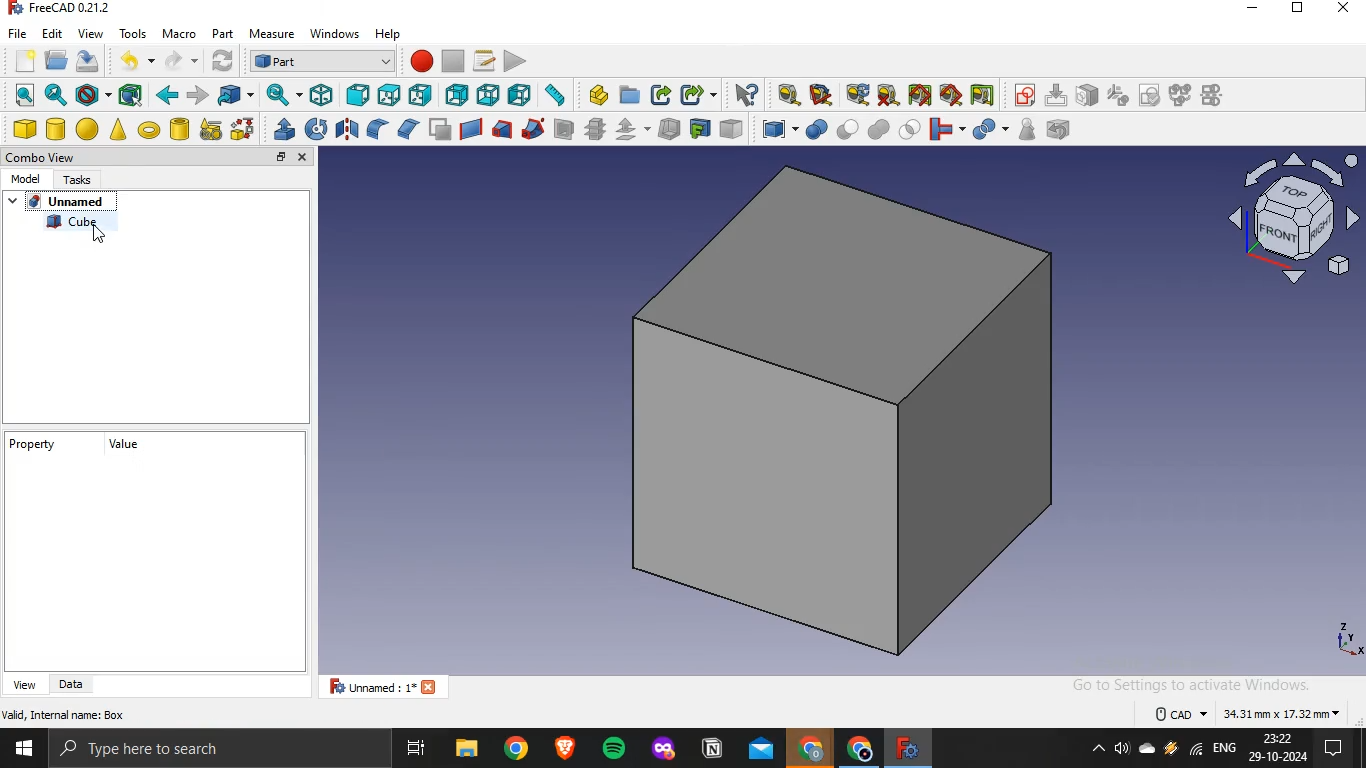 This screenshot has height=768, width=1366. I want to click on check geometry, so click(1026, 129).